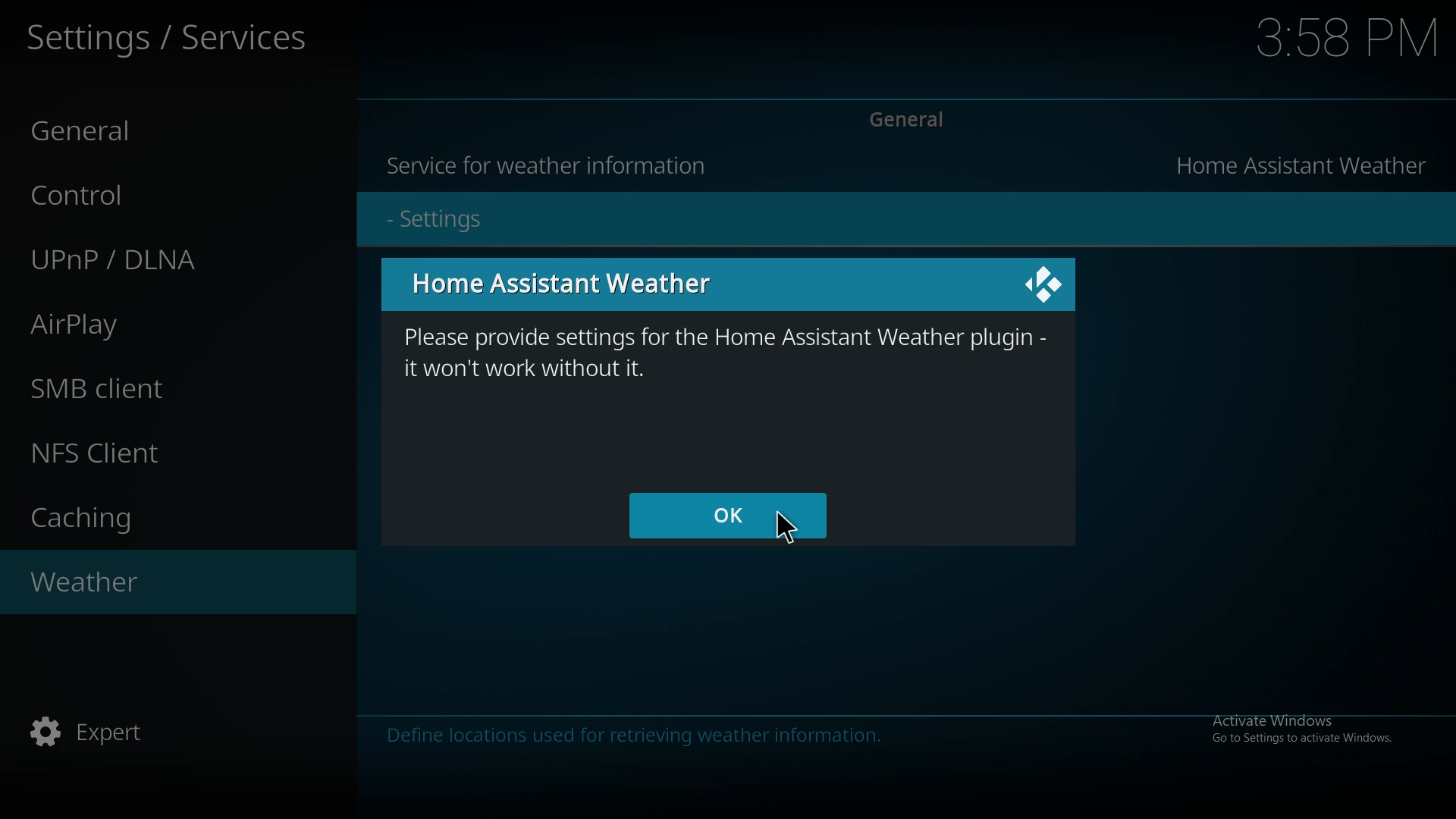  Describe the element at coordinates (143, 192) in the screenshot. I see `Control` at that location.